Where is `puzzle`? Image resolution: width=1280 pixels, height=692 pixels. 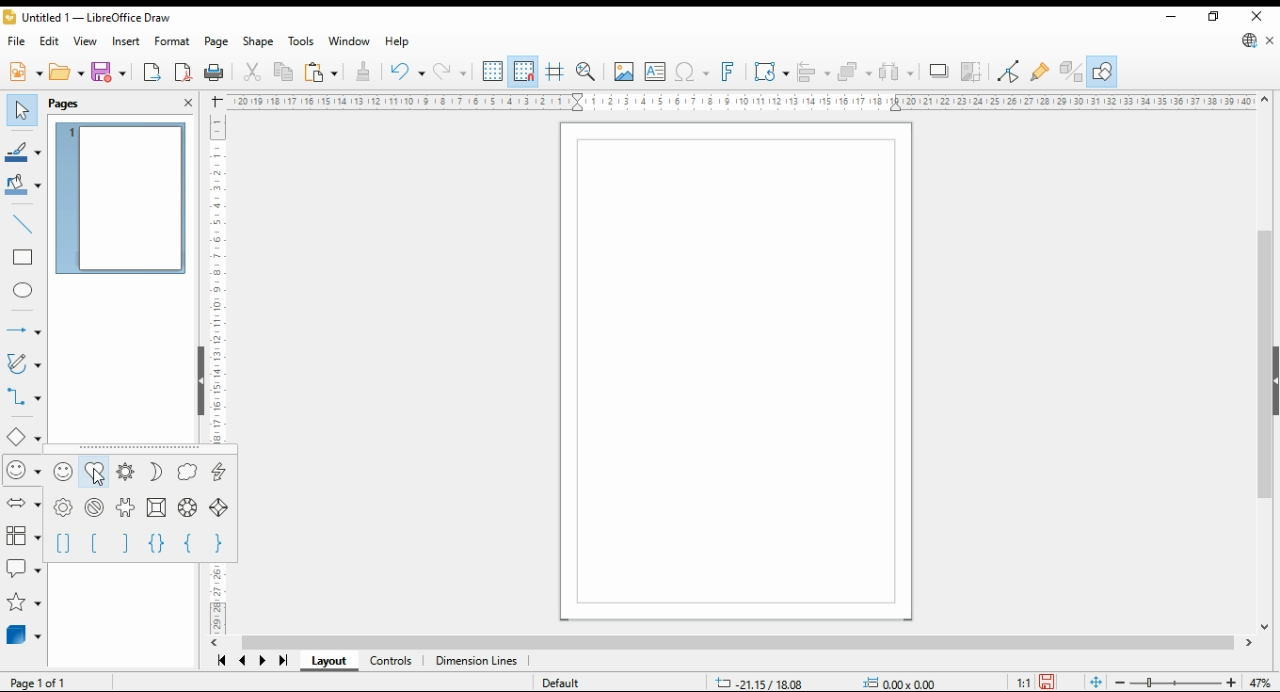 puzzle is located at coordinates (126, 509).